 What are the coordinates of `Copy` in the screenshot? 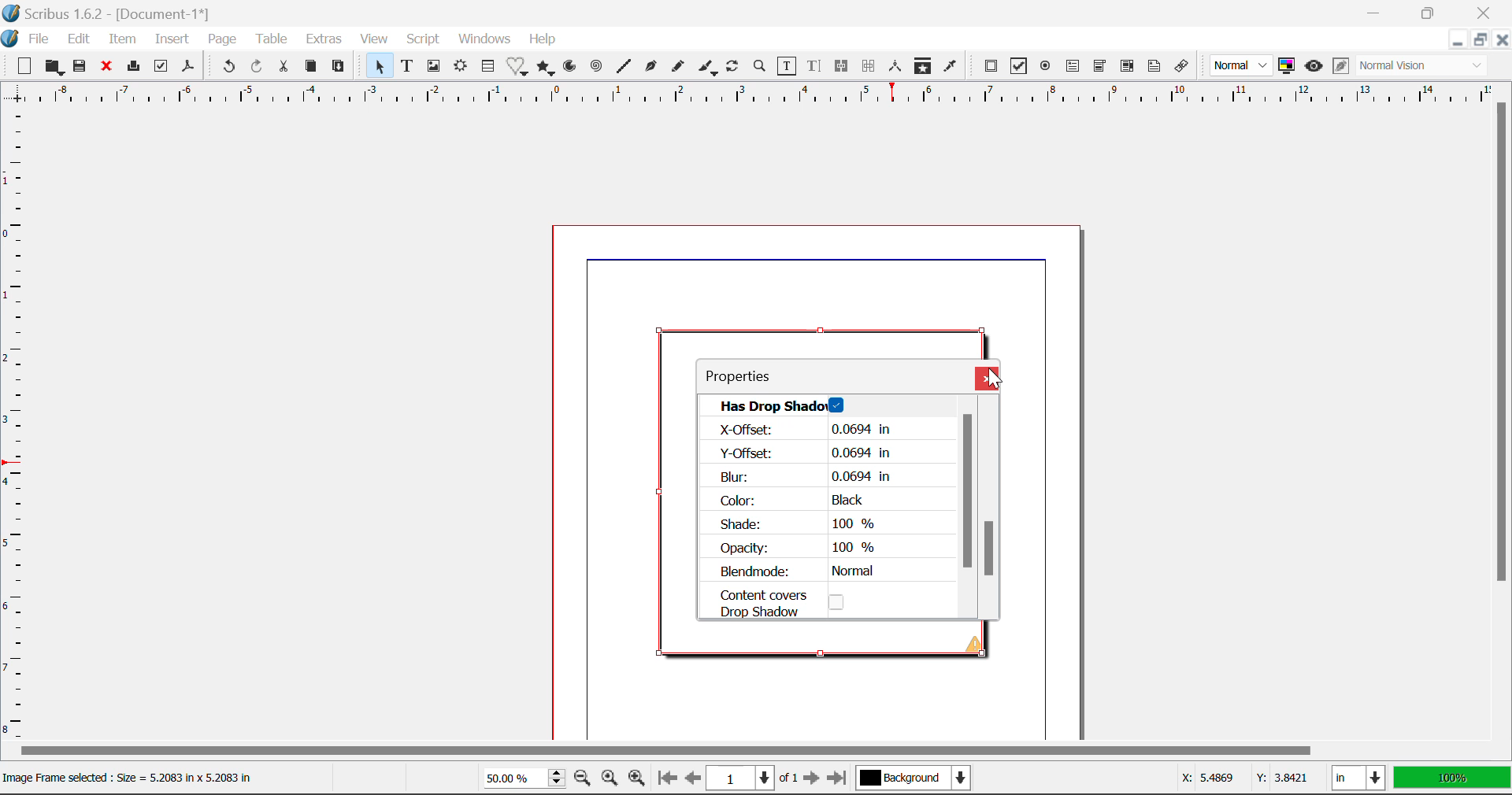 It's located at (311, 68).